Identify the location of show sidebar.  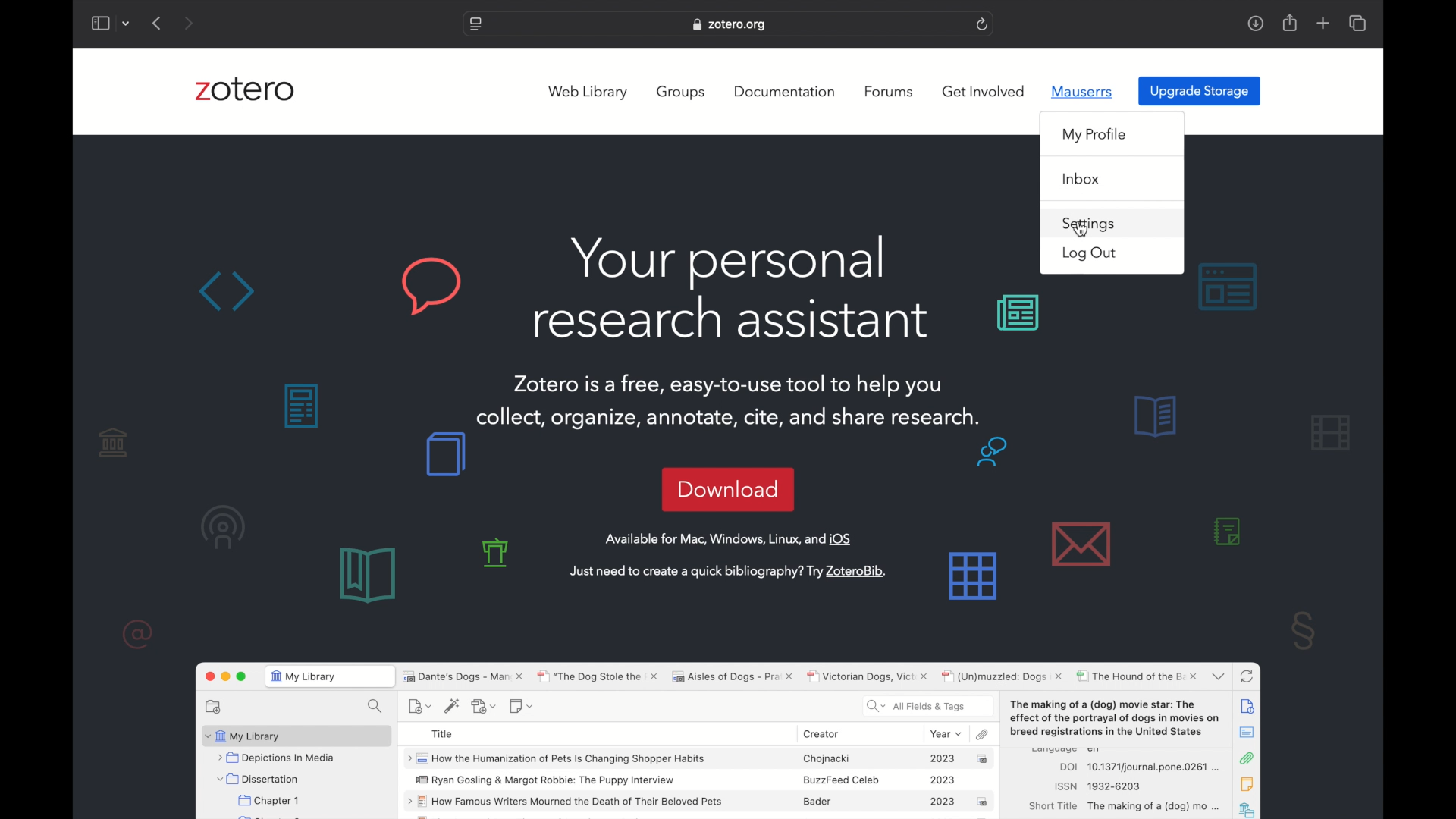
(99, 23).